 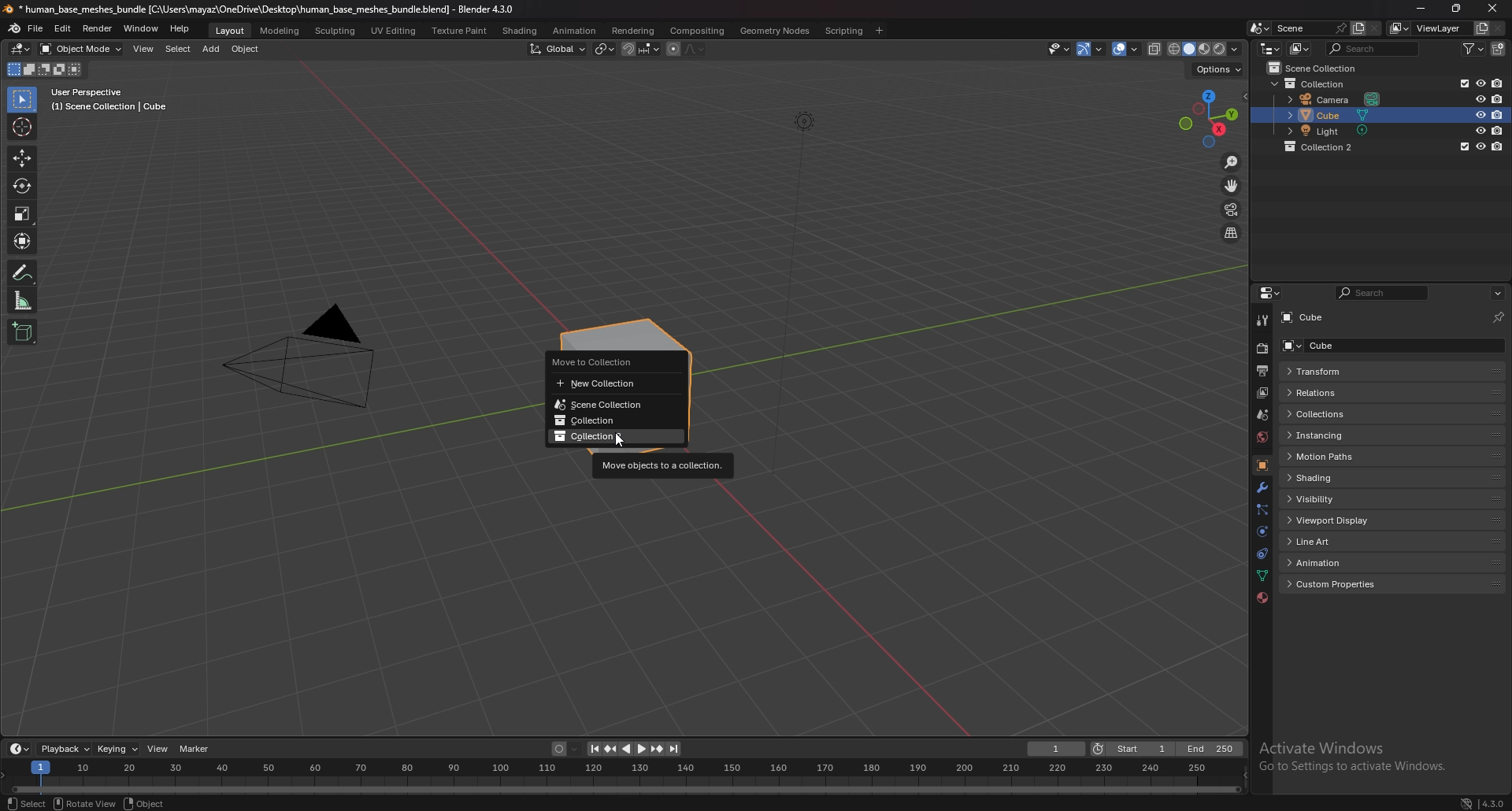 I want to click on view, so click(x=159, y=748).